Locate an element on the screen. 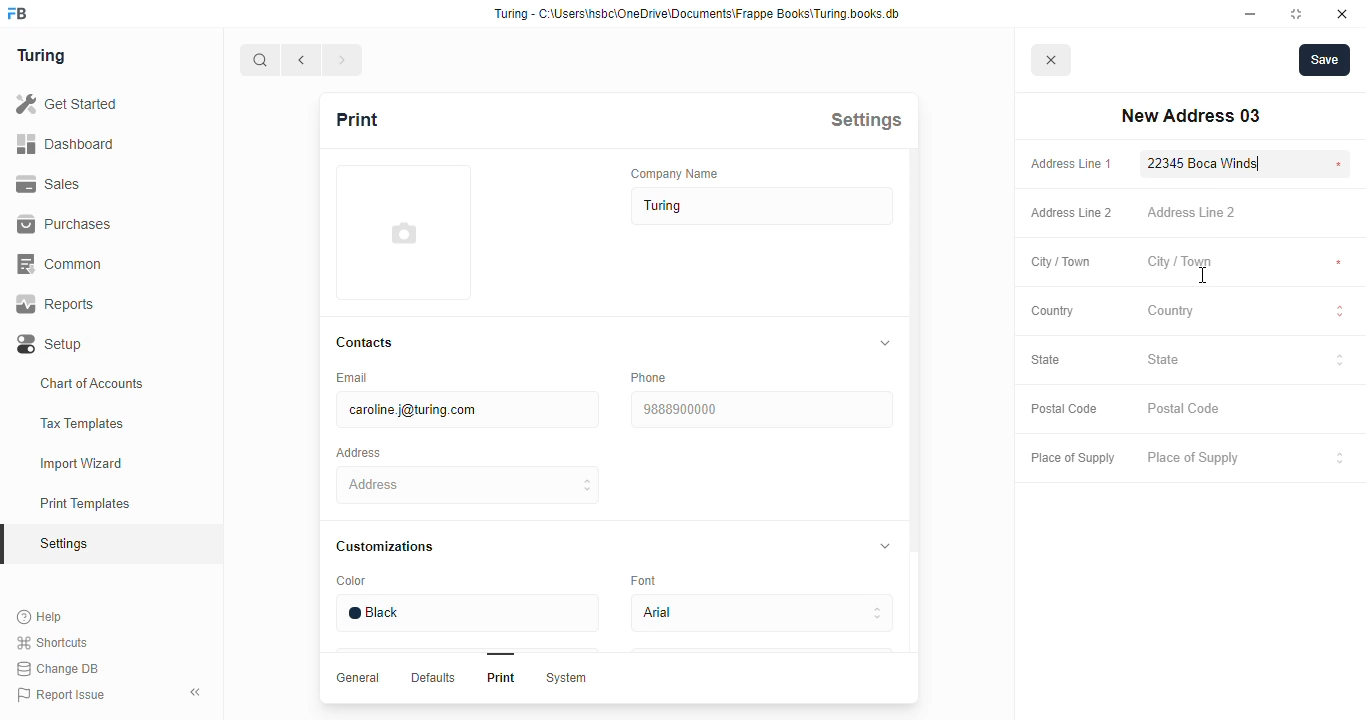  address is located at coordinates (469, 485).